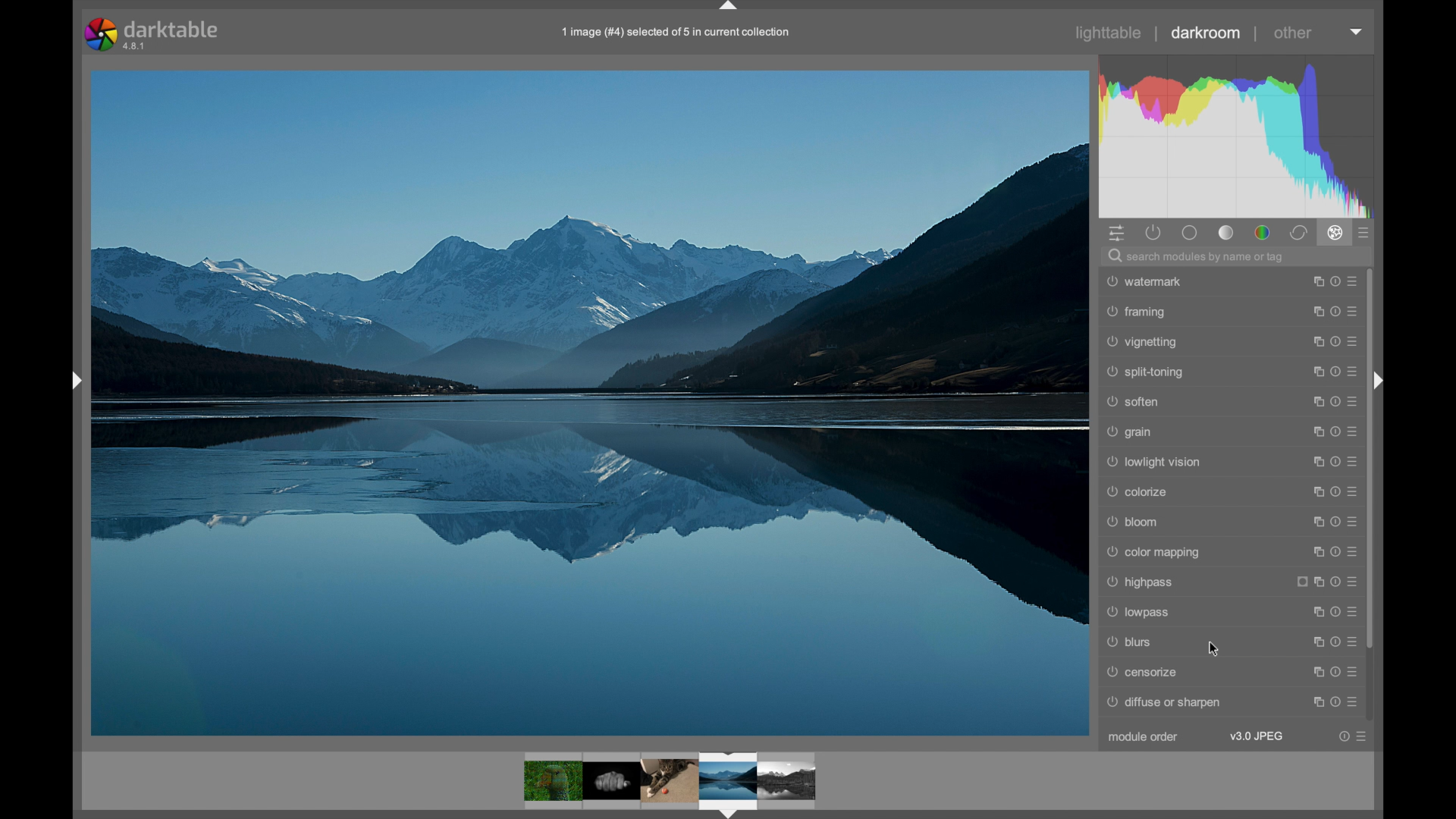 The image size is (1456, 819). I want to click on help, so click(1334, 371).